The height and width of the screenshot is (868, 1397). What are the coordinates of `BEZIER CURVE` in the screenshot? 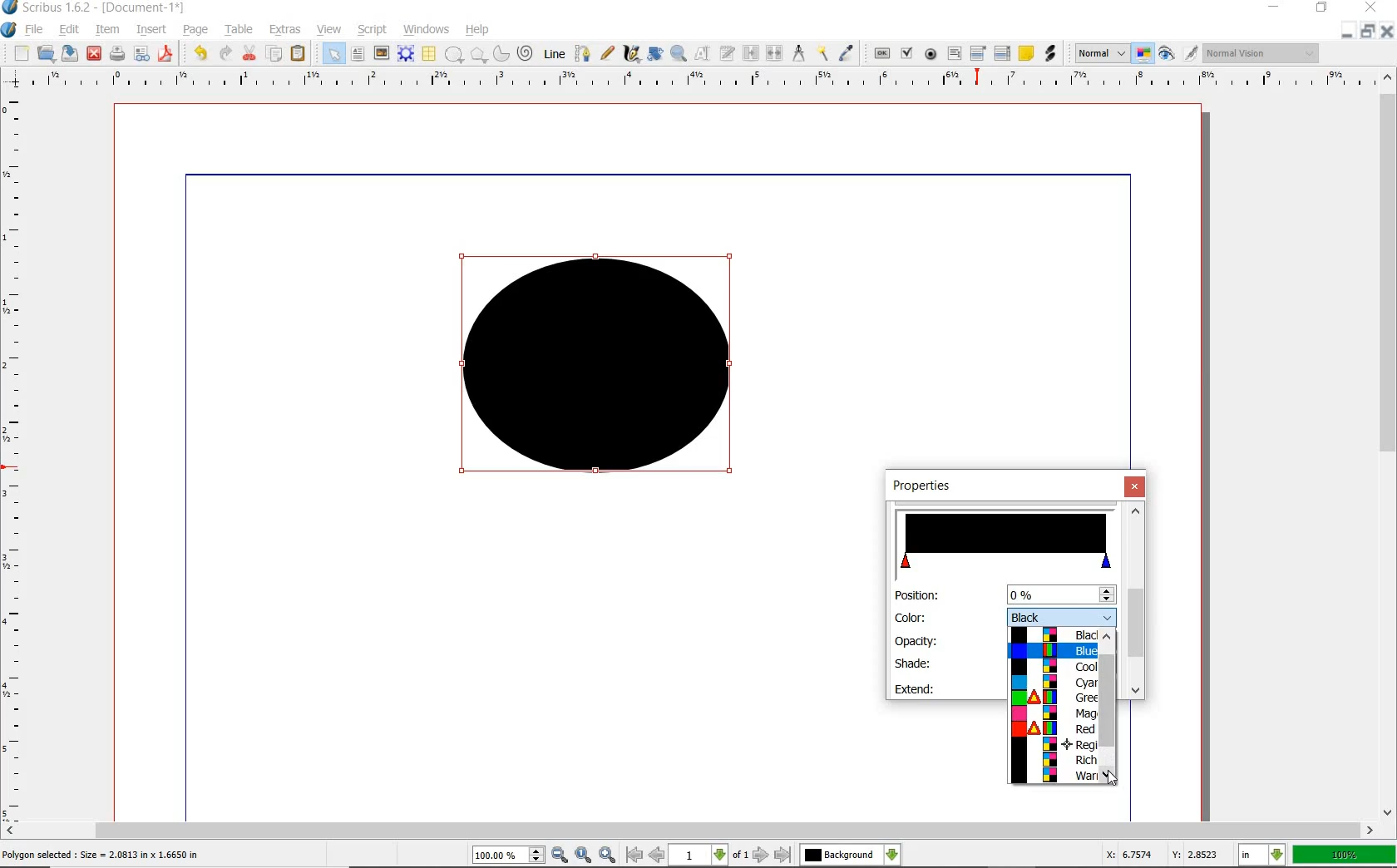 It's located at (583, 53).